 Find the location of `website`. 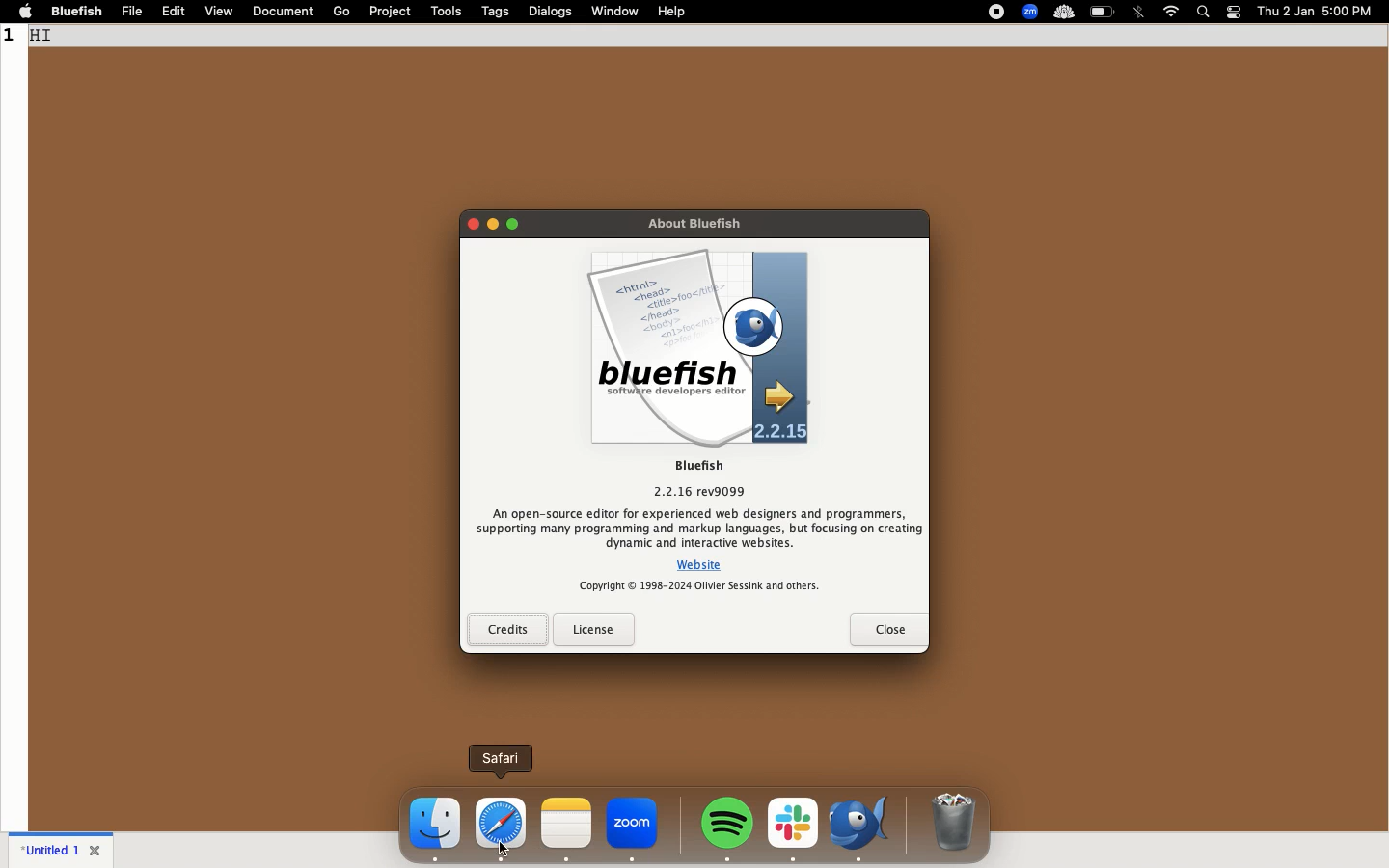

website is located at coordinates (704, 564).